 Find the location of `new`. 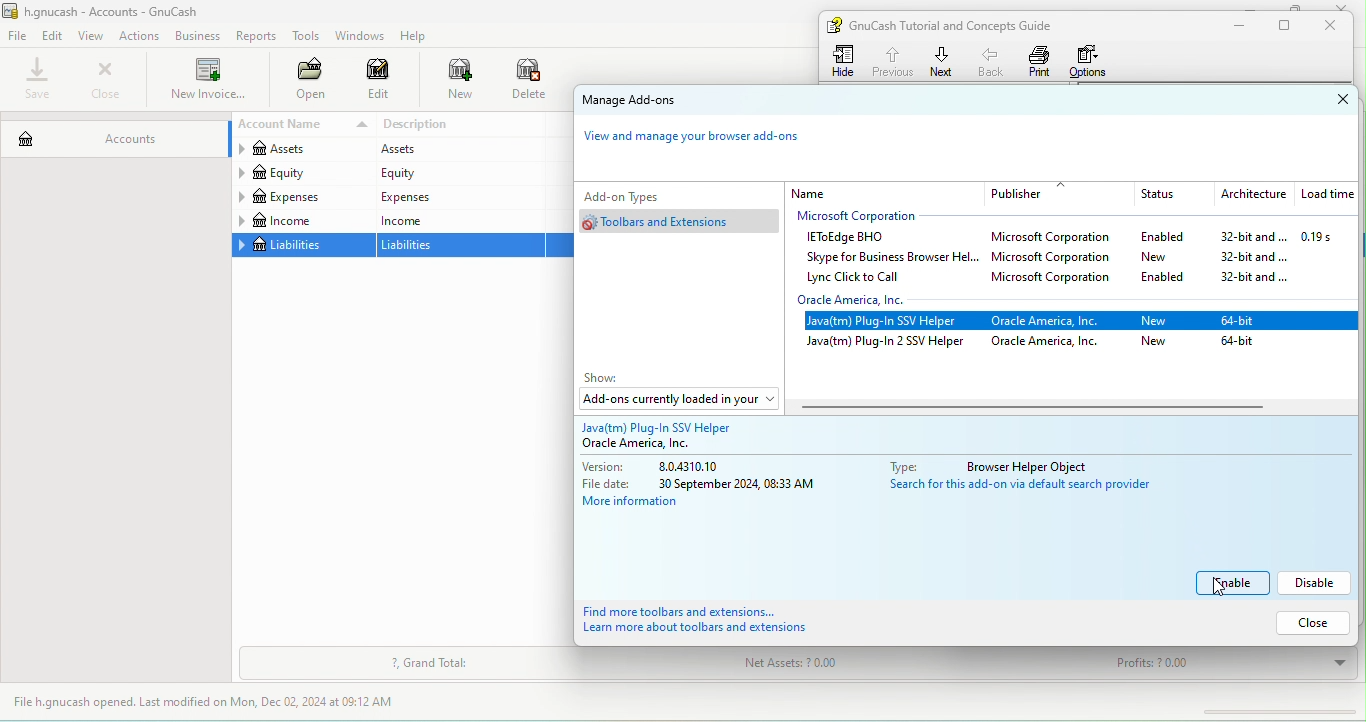

new is located at coordinates (1154, 322).